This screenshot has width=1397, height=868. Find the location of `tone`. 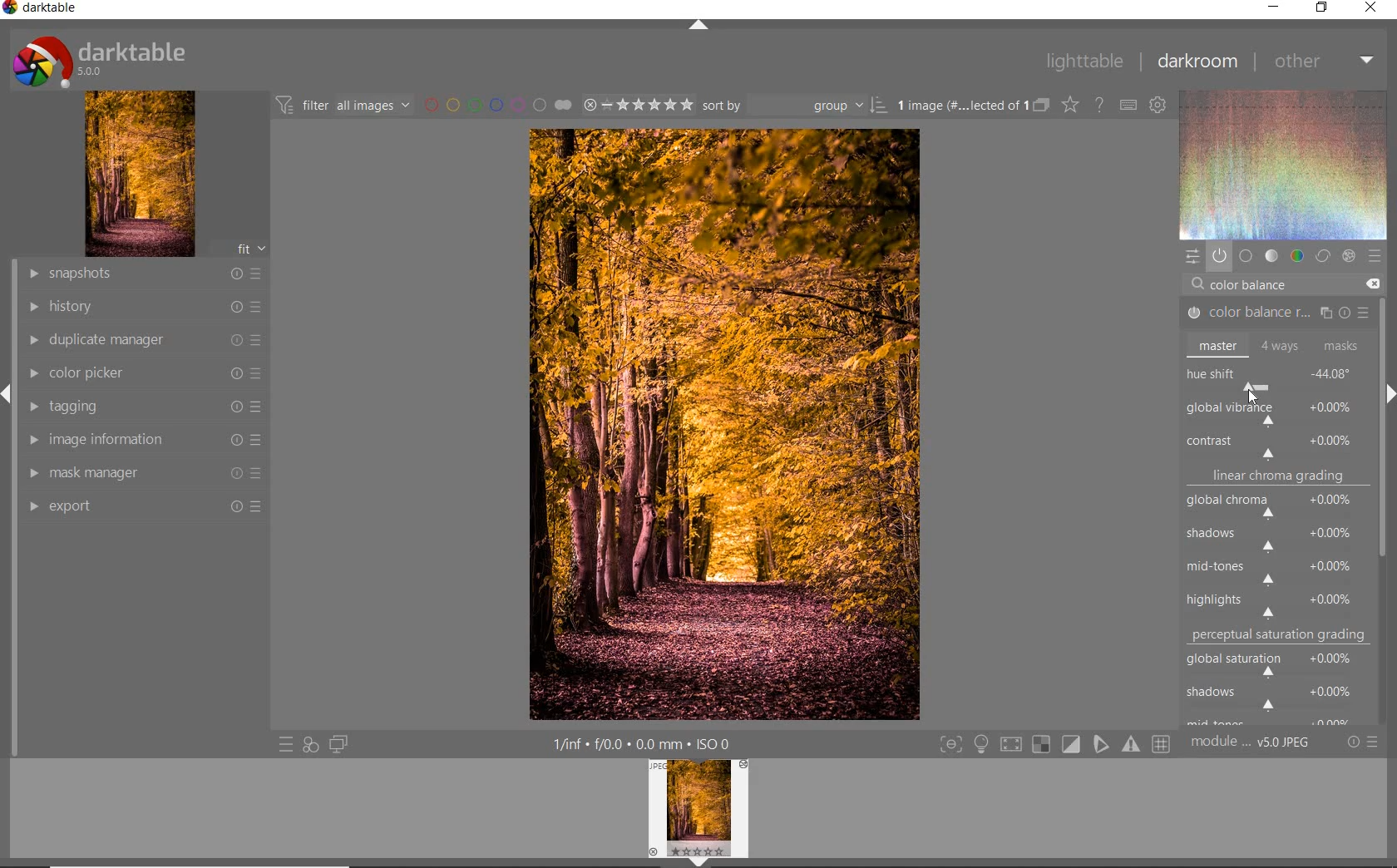

tone is located at coordinates (1271, 257).